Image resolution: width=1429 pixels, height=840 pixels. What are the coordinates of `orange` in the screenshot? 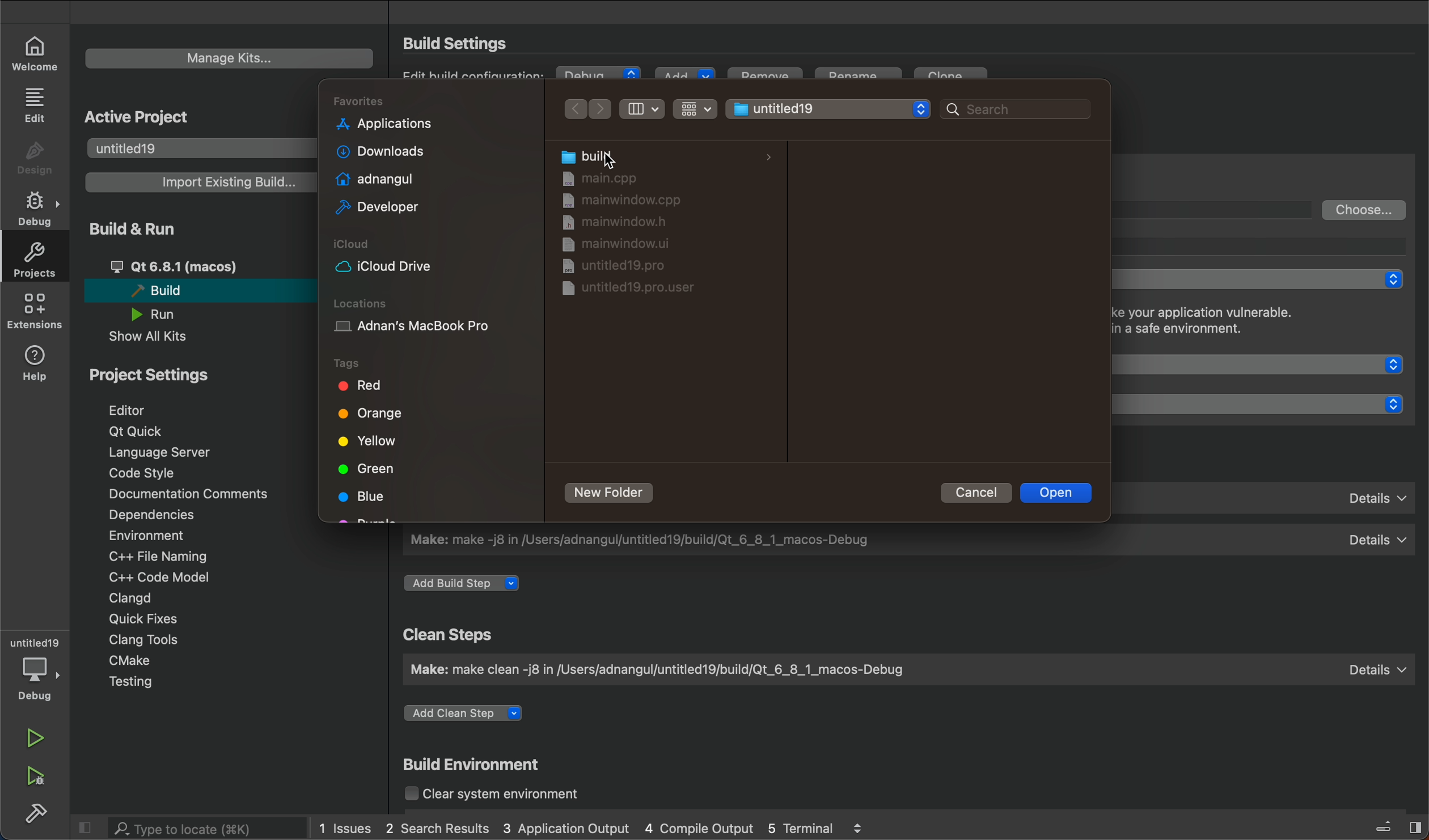 It's located at (374, 417).